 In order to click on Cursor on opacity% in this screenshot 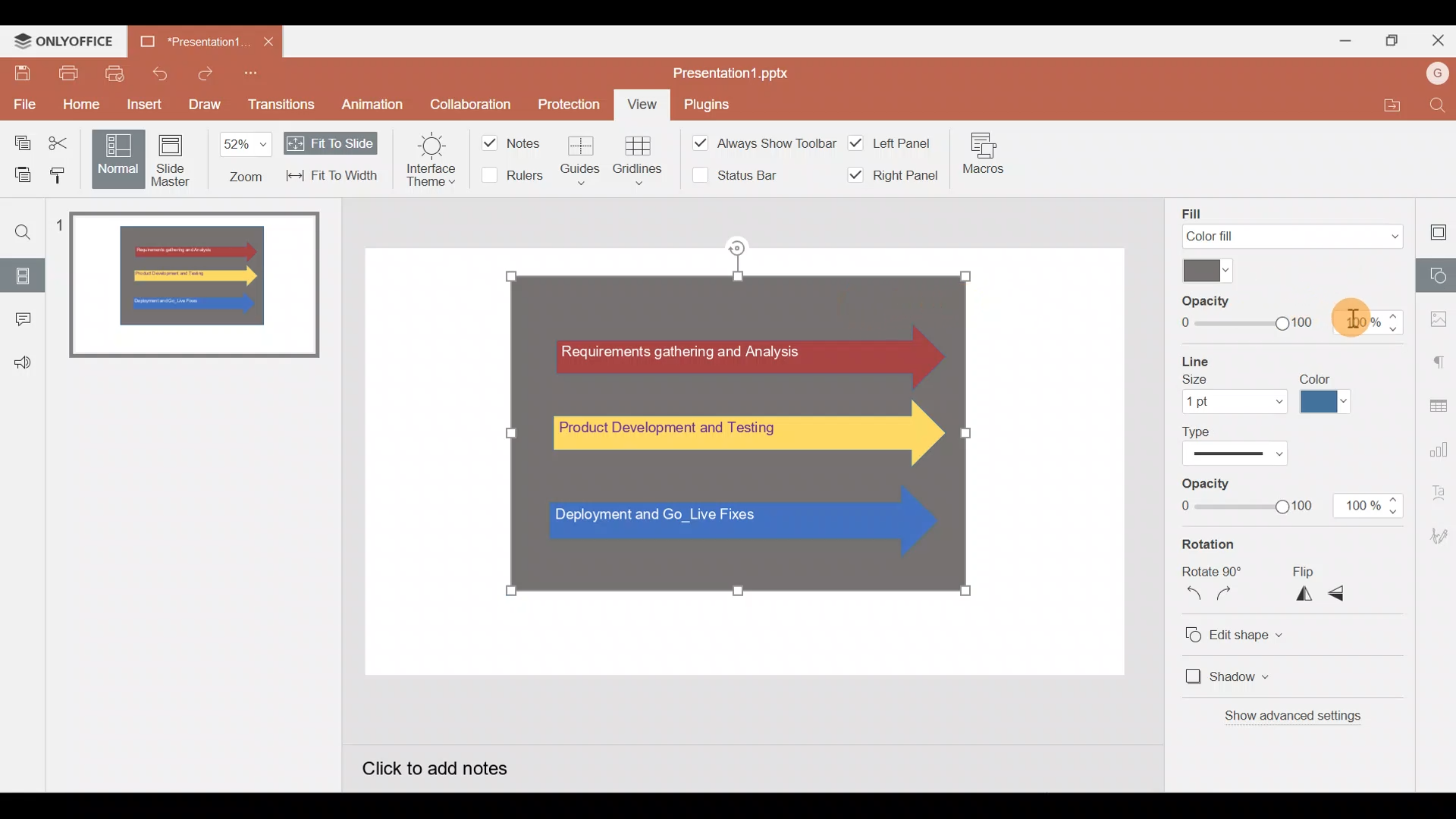, I will do `click(1359, 311)`.